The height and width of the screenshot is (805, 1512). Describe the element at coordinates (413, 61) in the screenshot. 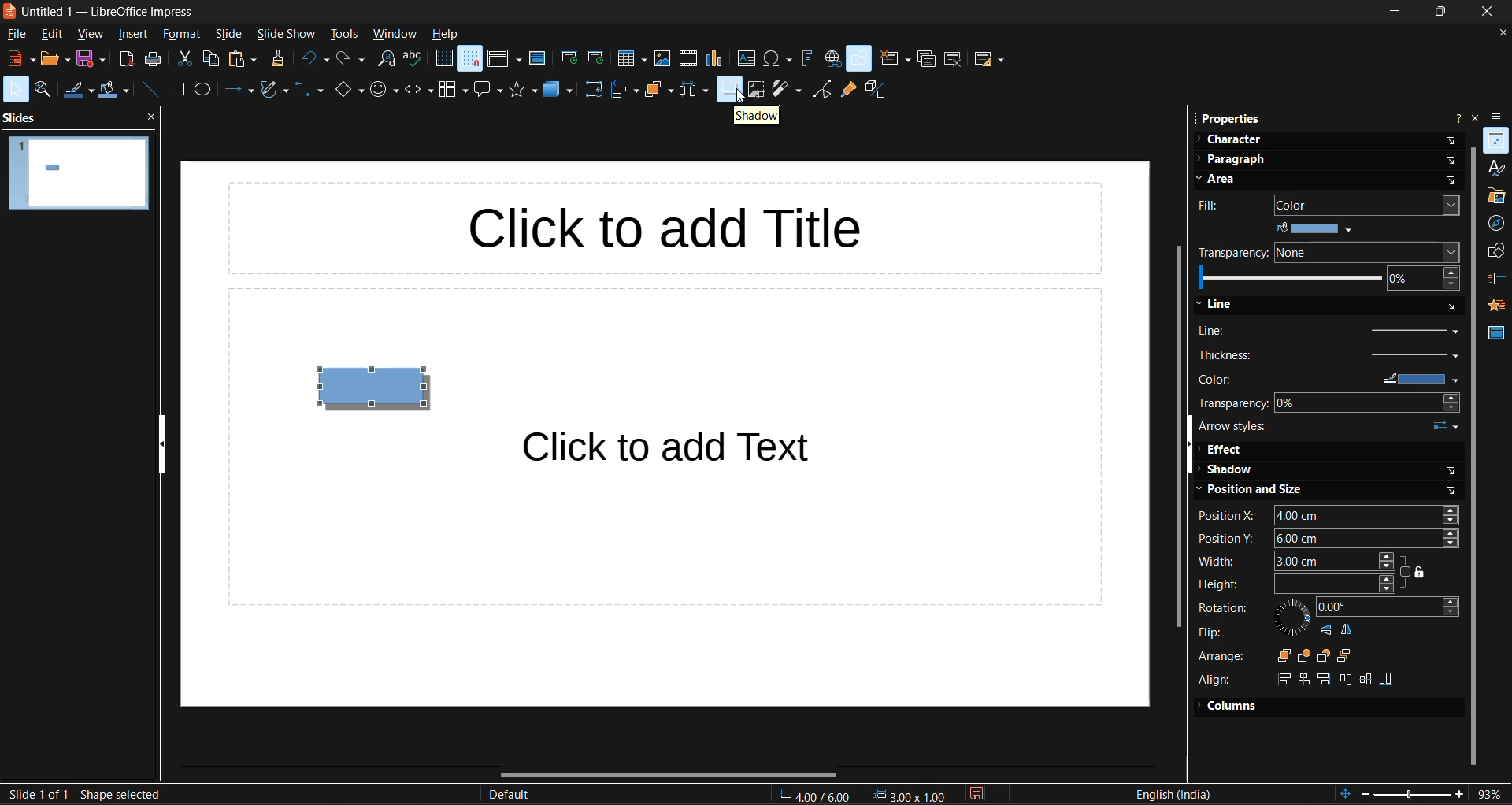

I see `spelling` at that location.